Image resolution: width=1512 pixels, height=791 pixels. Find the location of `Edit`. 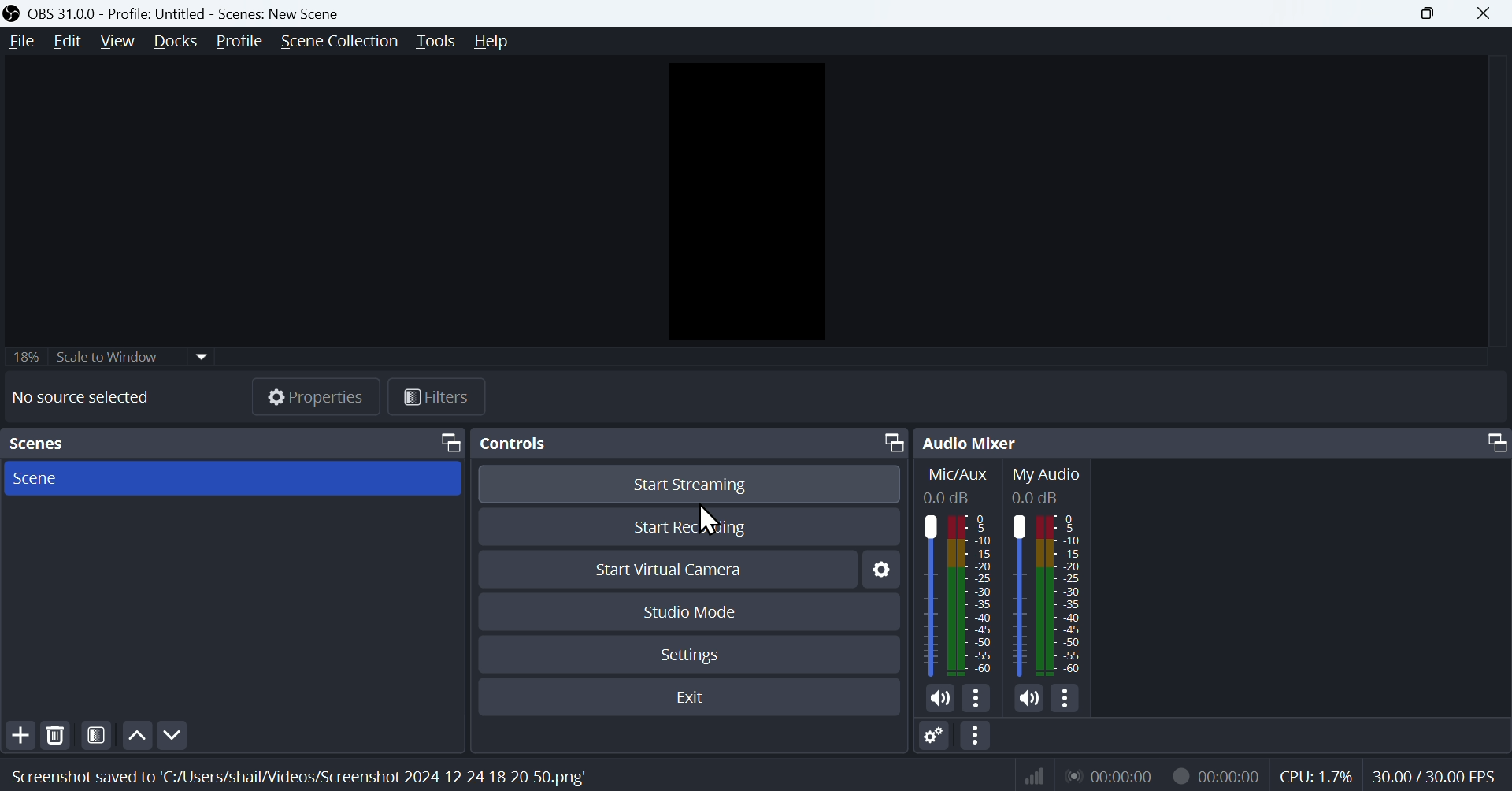

Edit is located at coordinates (66, 41).